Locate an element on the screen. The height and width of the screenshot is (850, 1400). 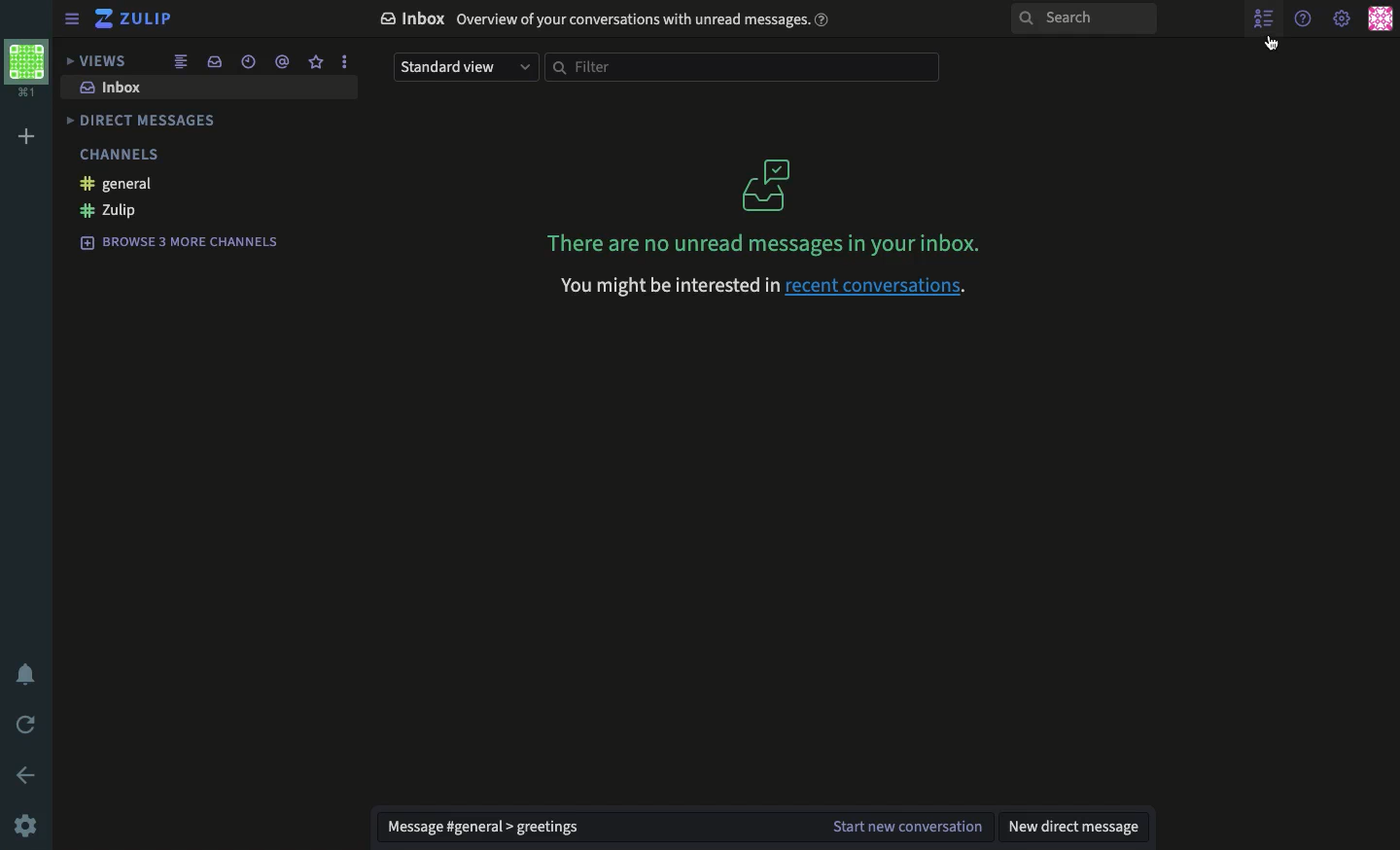
notification is located at coordinates (25, 672).